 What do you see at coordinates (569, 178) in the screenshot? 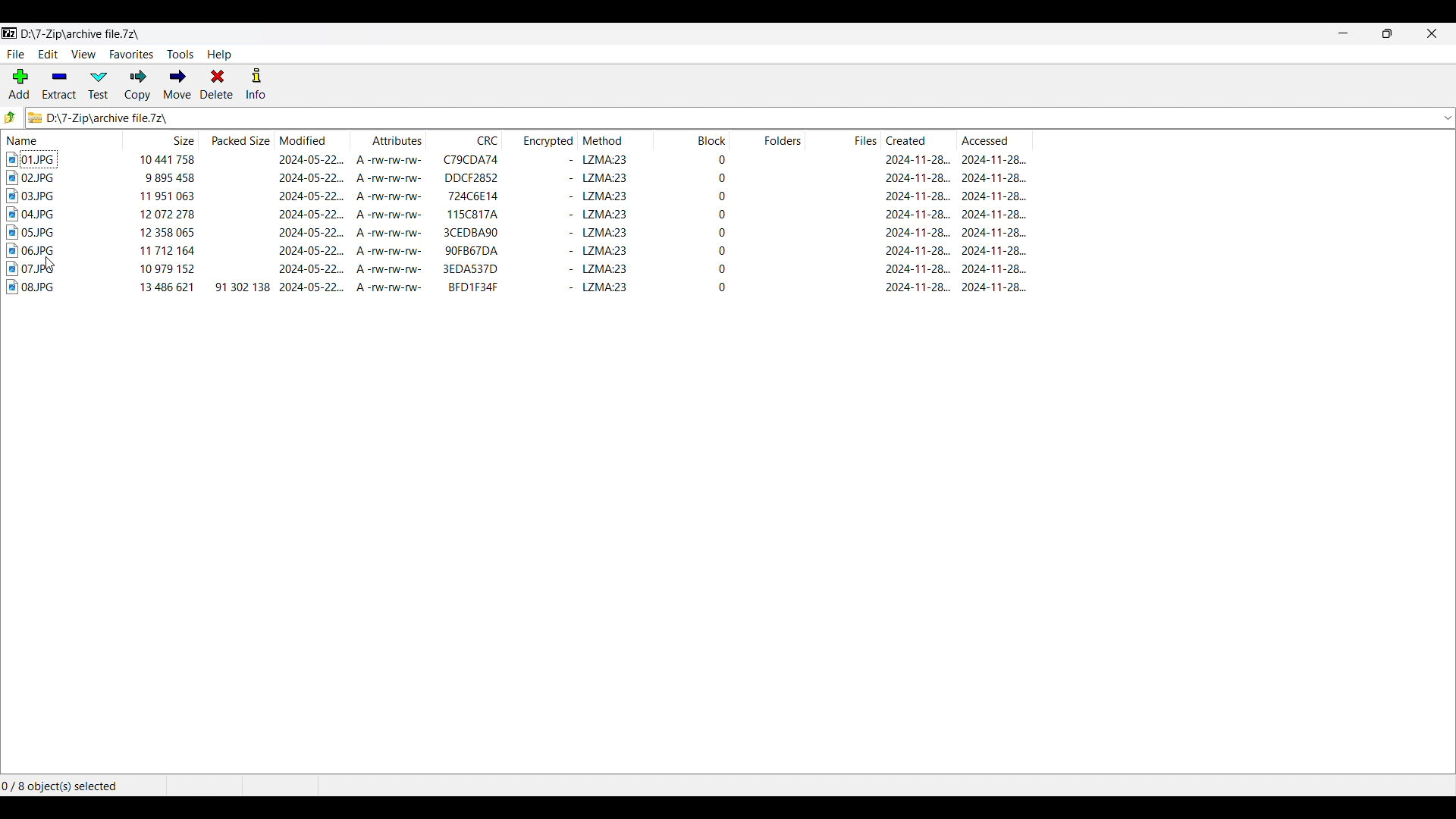
I see `encrypted status` at bounding box center [569, 178].